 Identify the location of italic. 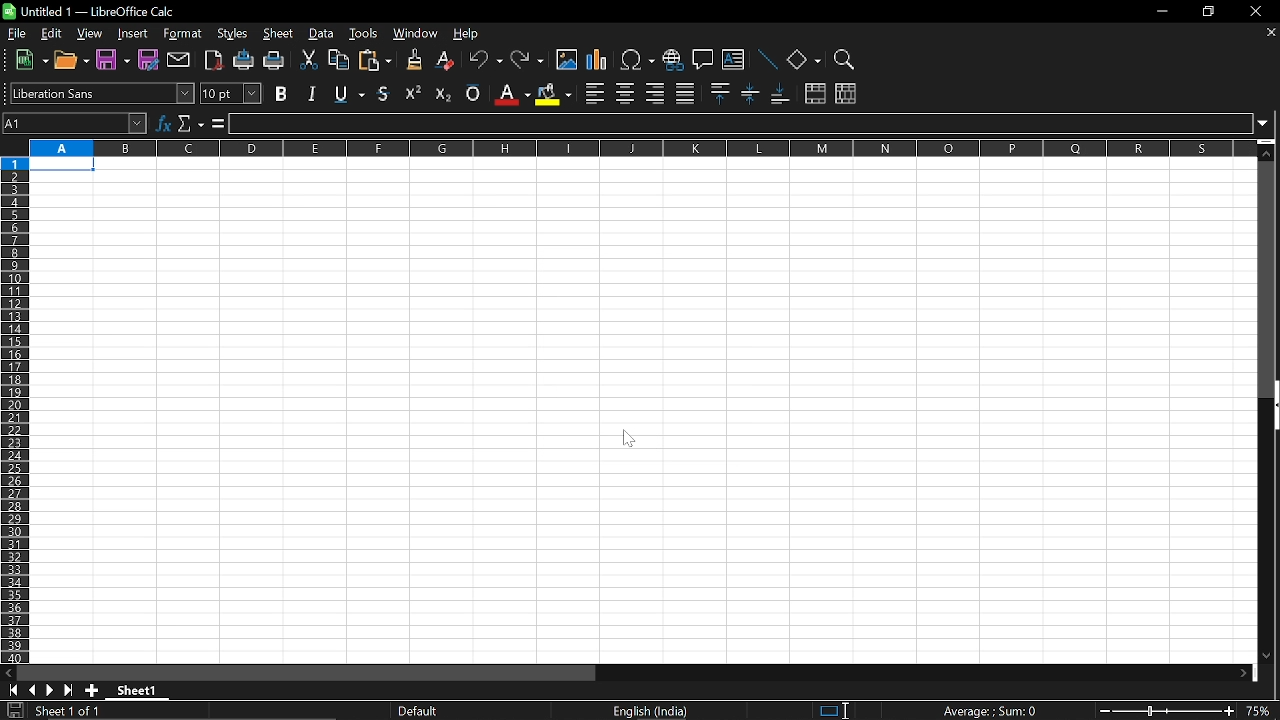
(312, 93).